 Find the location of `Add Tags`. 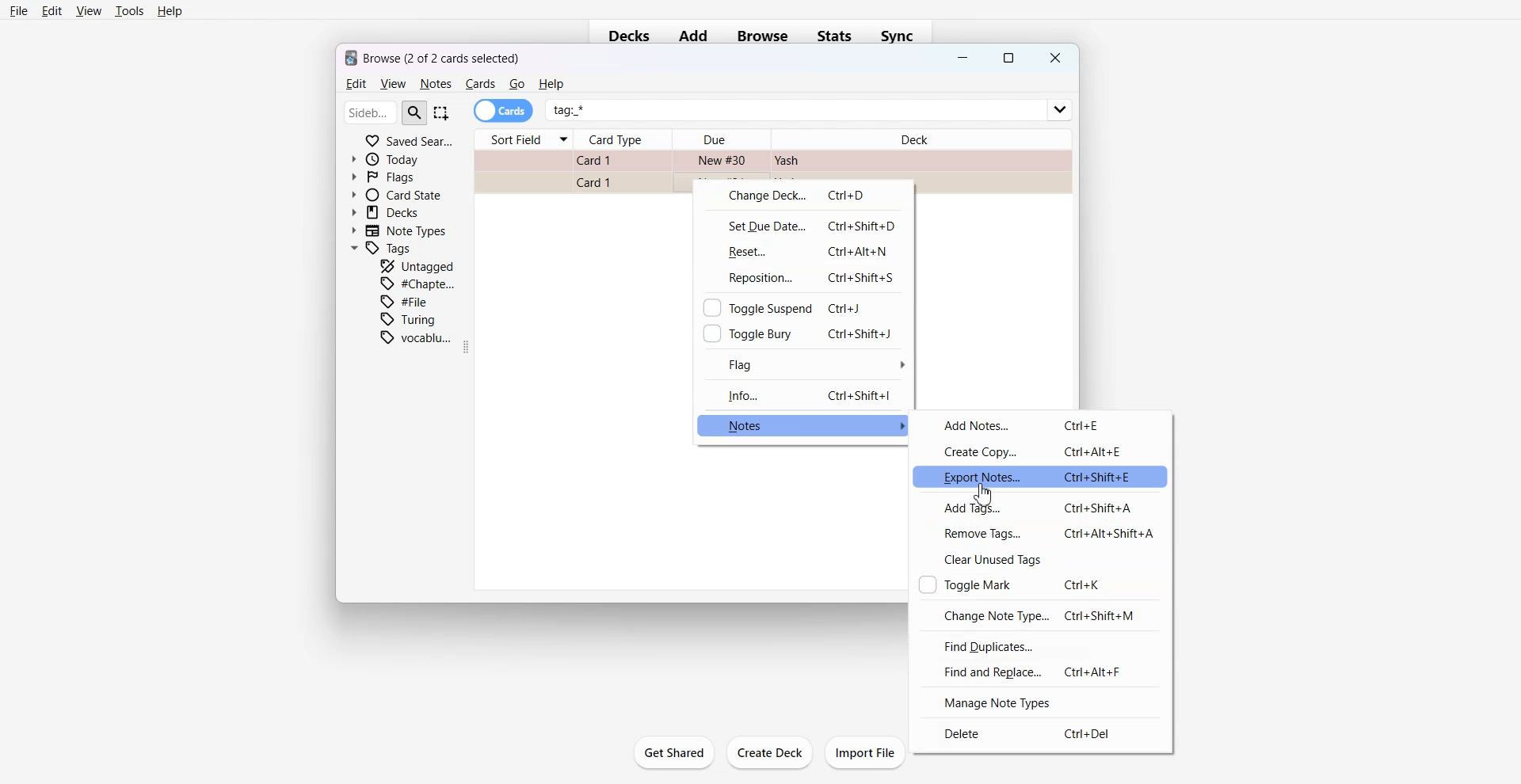

Add Tags is located at coordinates (1039, 507).